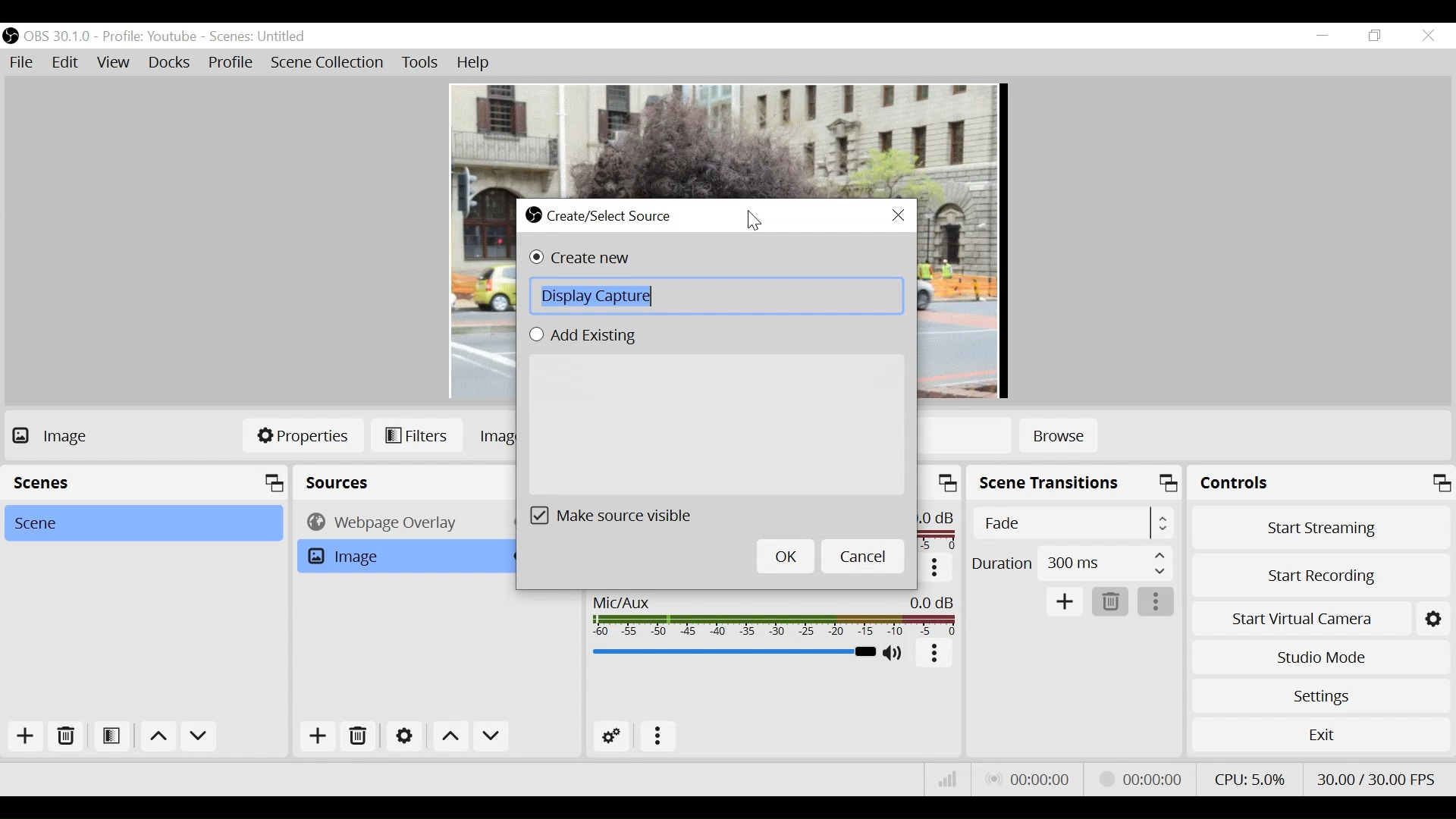  I want to click on OK, so click(784, 557).